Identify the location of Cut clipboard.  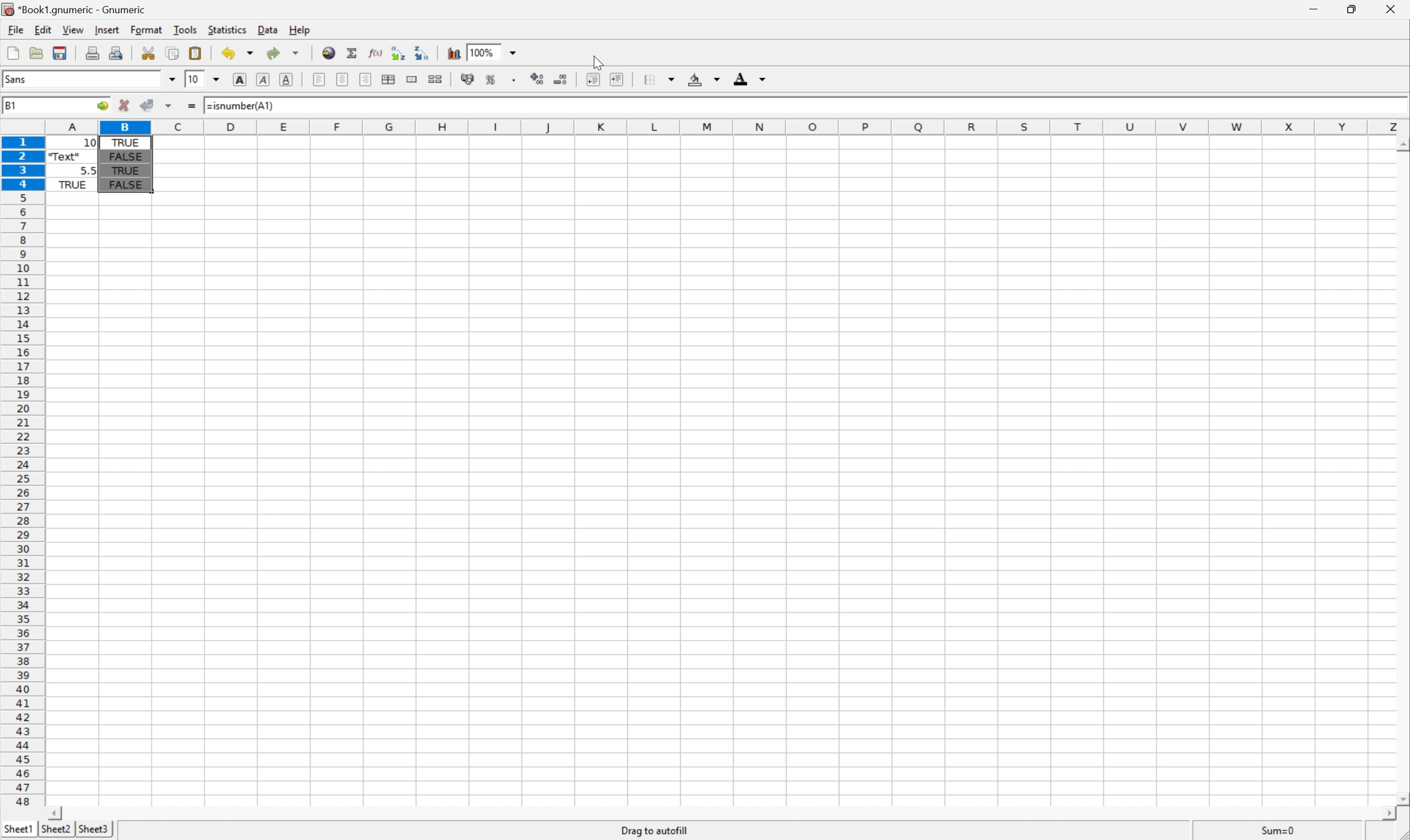
(148, 53).